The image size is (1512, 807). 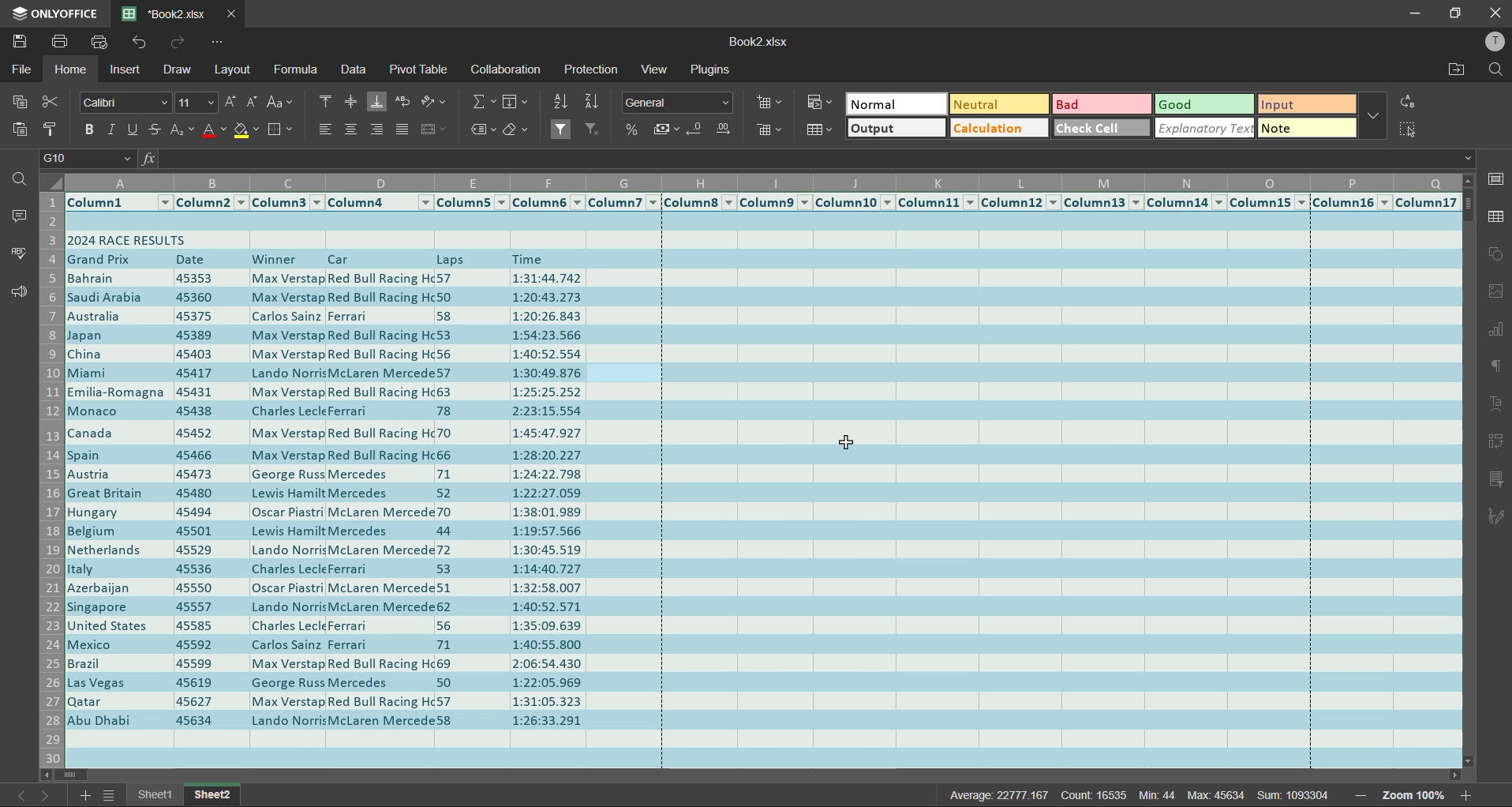 What do you see at coordinates (53, 477) in the screenshot?
I see `row numbers` at bounding box center [53, 477].